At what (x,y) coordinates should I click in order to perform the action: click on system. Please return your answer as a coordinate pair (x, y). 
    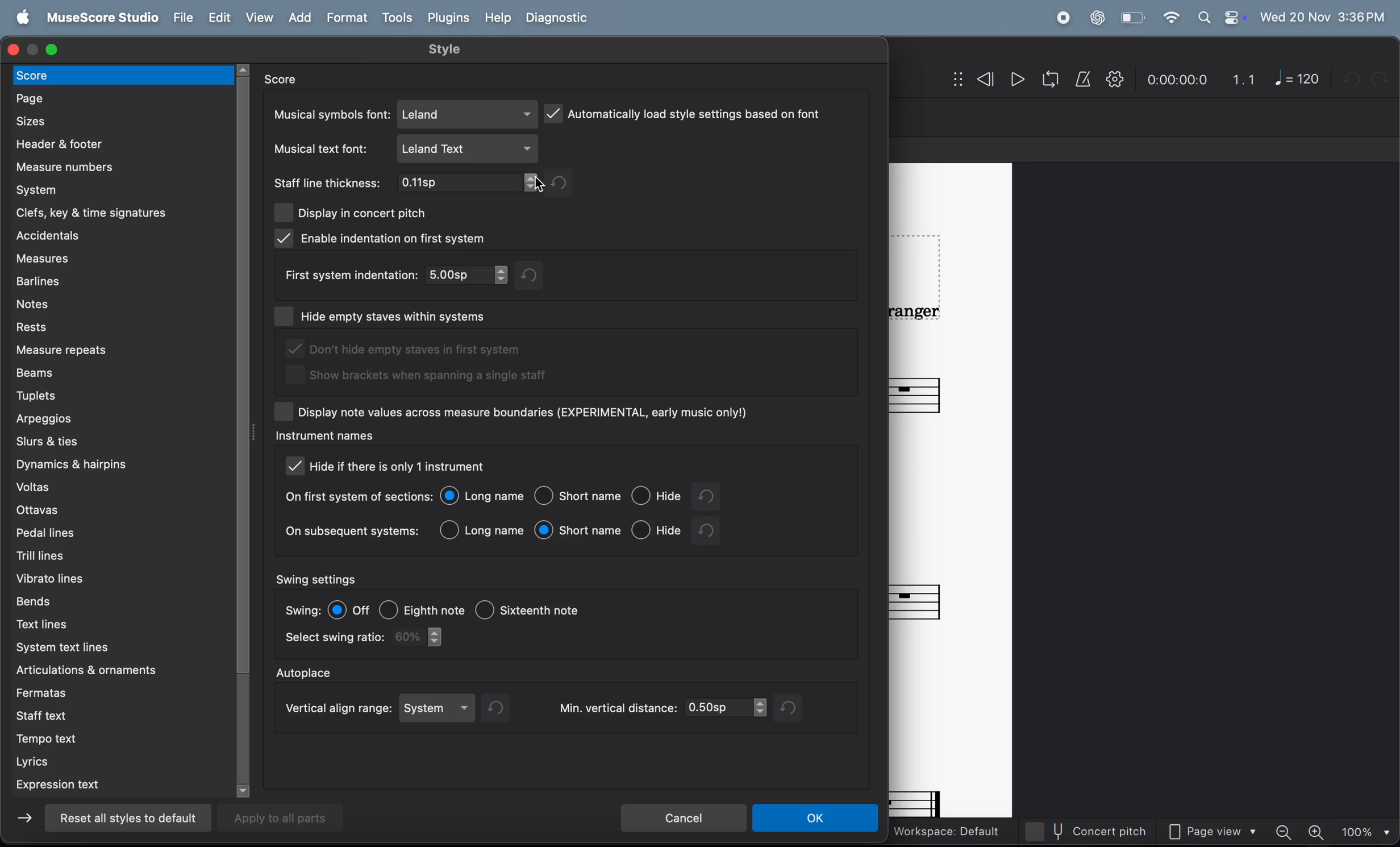
    Looking at the image, I should click on (116, 189).